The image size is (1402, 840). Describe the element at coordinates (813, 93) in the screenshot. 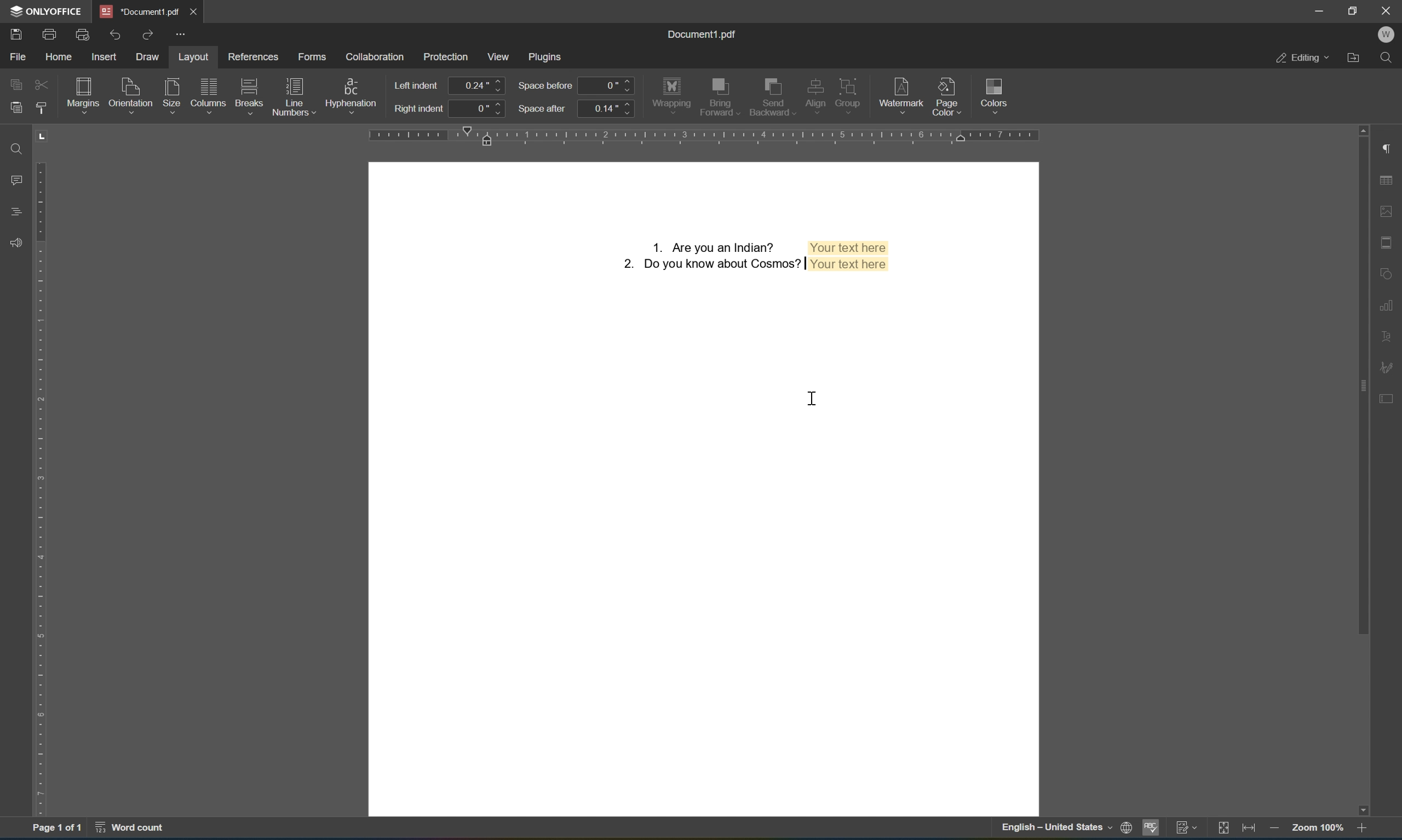

I see `align` at that location.